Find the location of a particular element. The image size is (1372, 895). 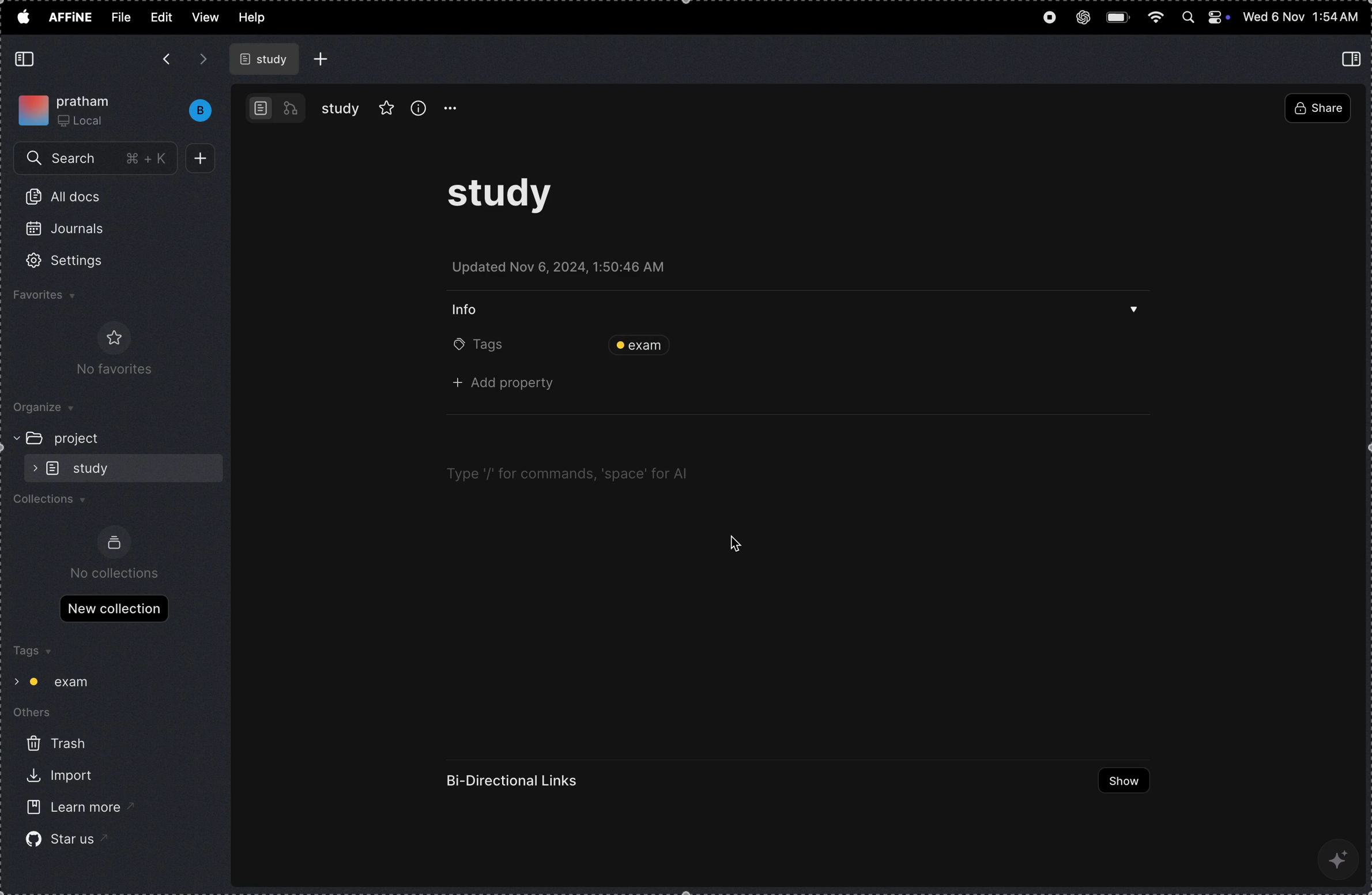

collections is located at coordinates (56, 502).